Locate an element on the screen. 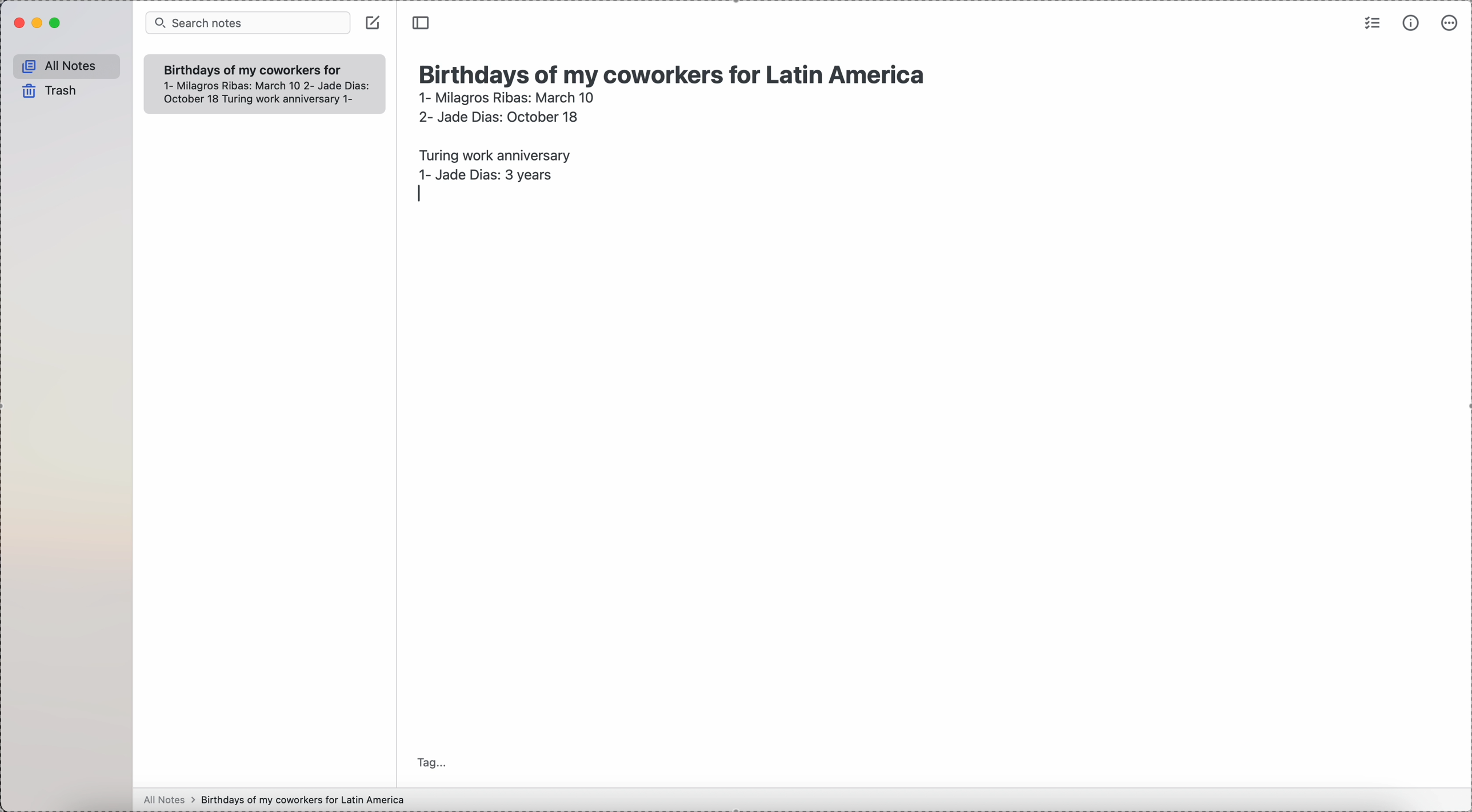 This screenshot has height=812, width=1472. Birthdays of my coworkers for Latin America is located at coordinates (251, 69).